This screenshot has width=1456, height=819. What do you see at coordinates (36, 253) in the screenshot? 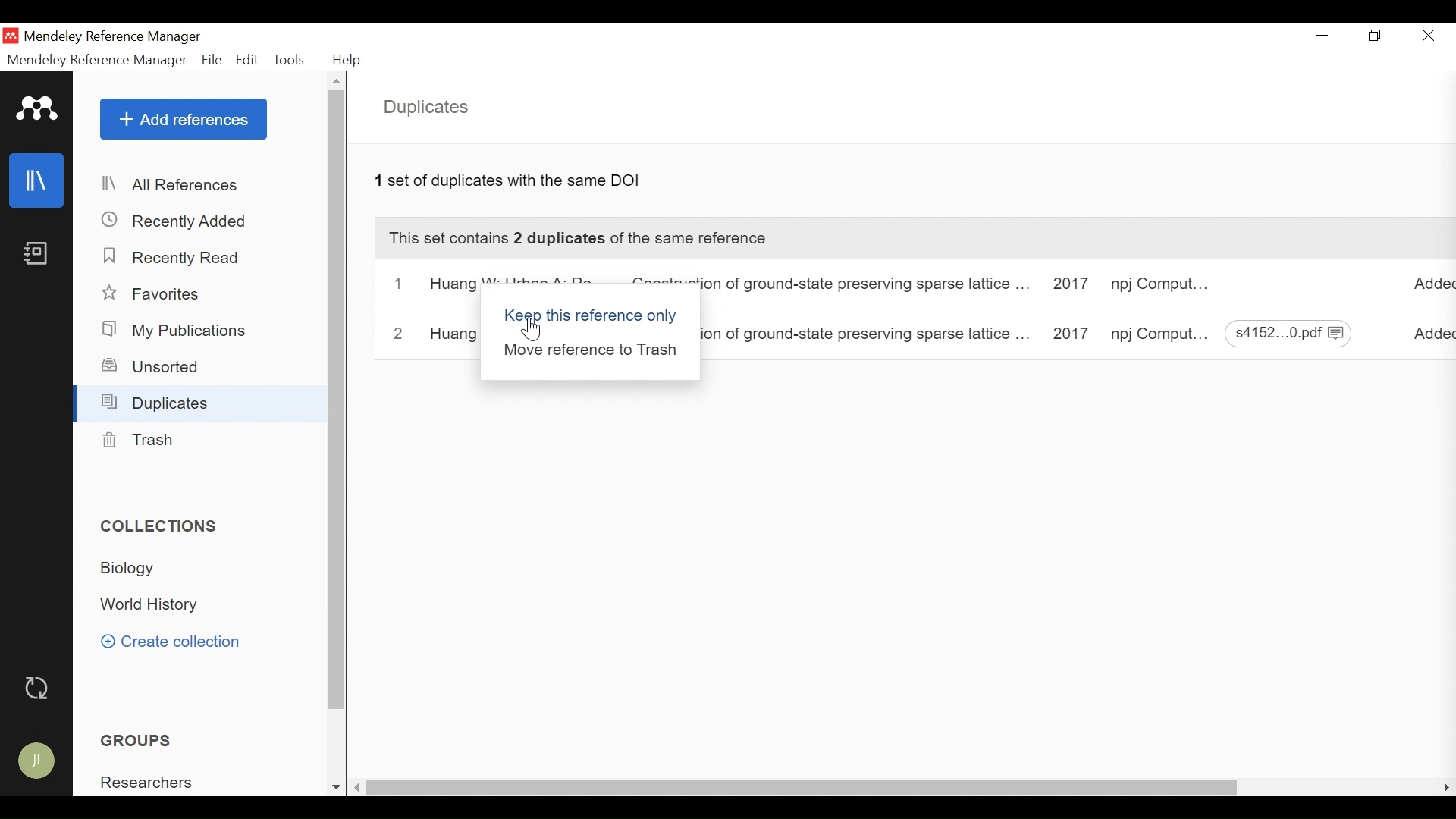
I see `Notebook` at bounding box center [36, 253].